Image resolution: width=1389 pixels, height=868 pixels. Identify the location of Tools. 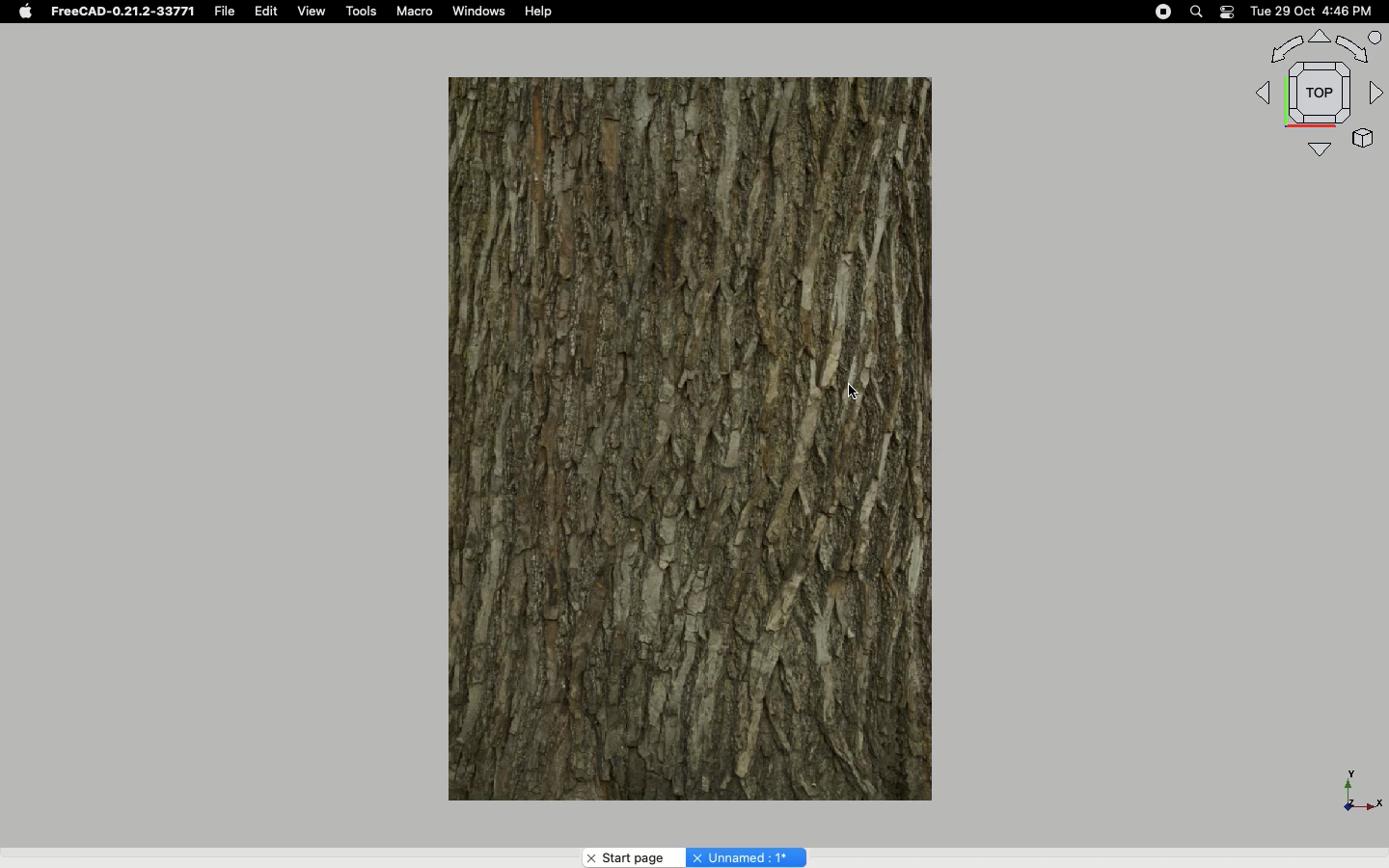
(364, 12).